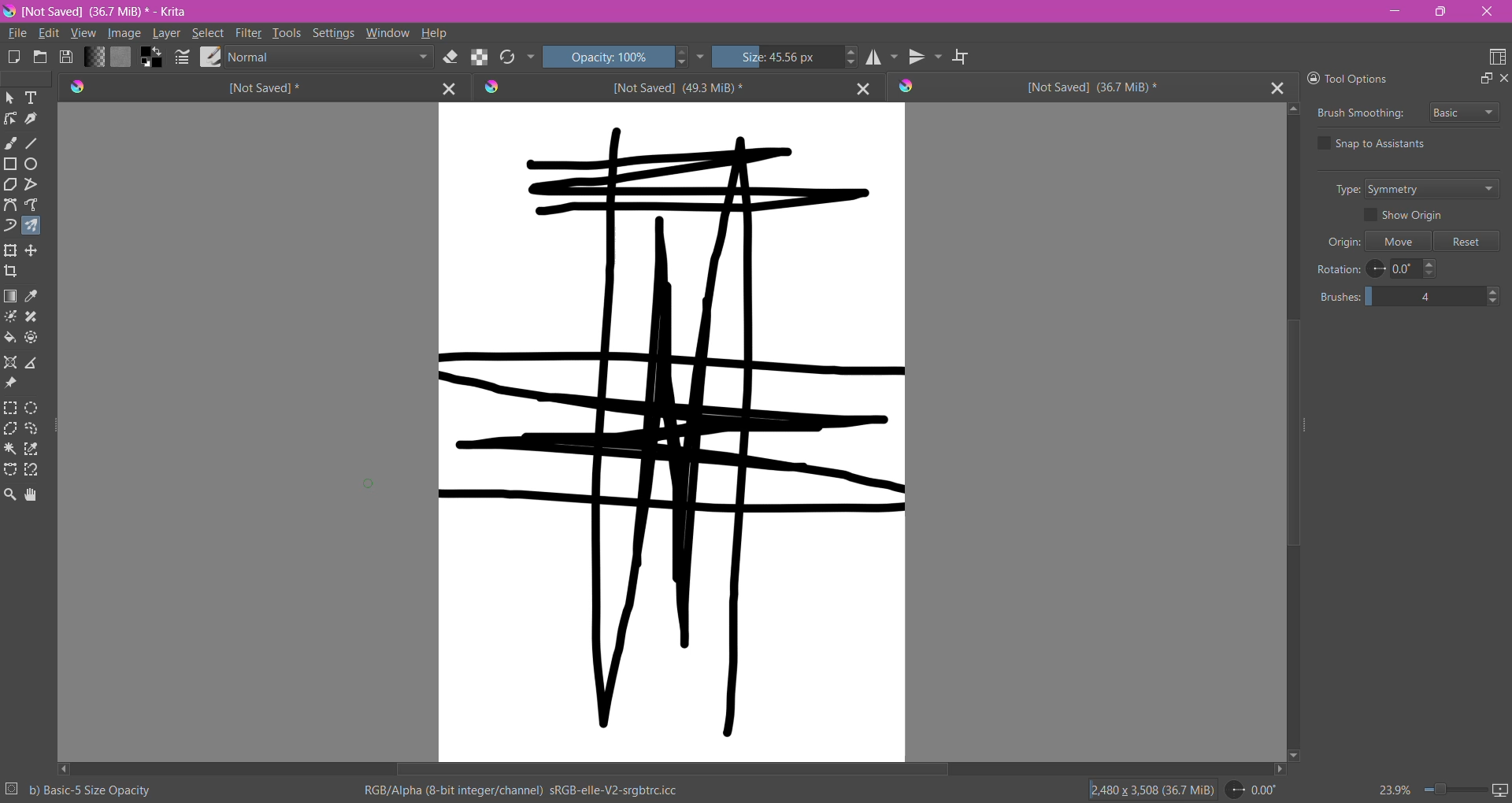 Image resolution: width=1512 pixels, height=803 pixels. Describe the element at coordinates (209, 57) in the screenshot. I see `Choose Brush Preset` at that location.